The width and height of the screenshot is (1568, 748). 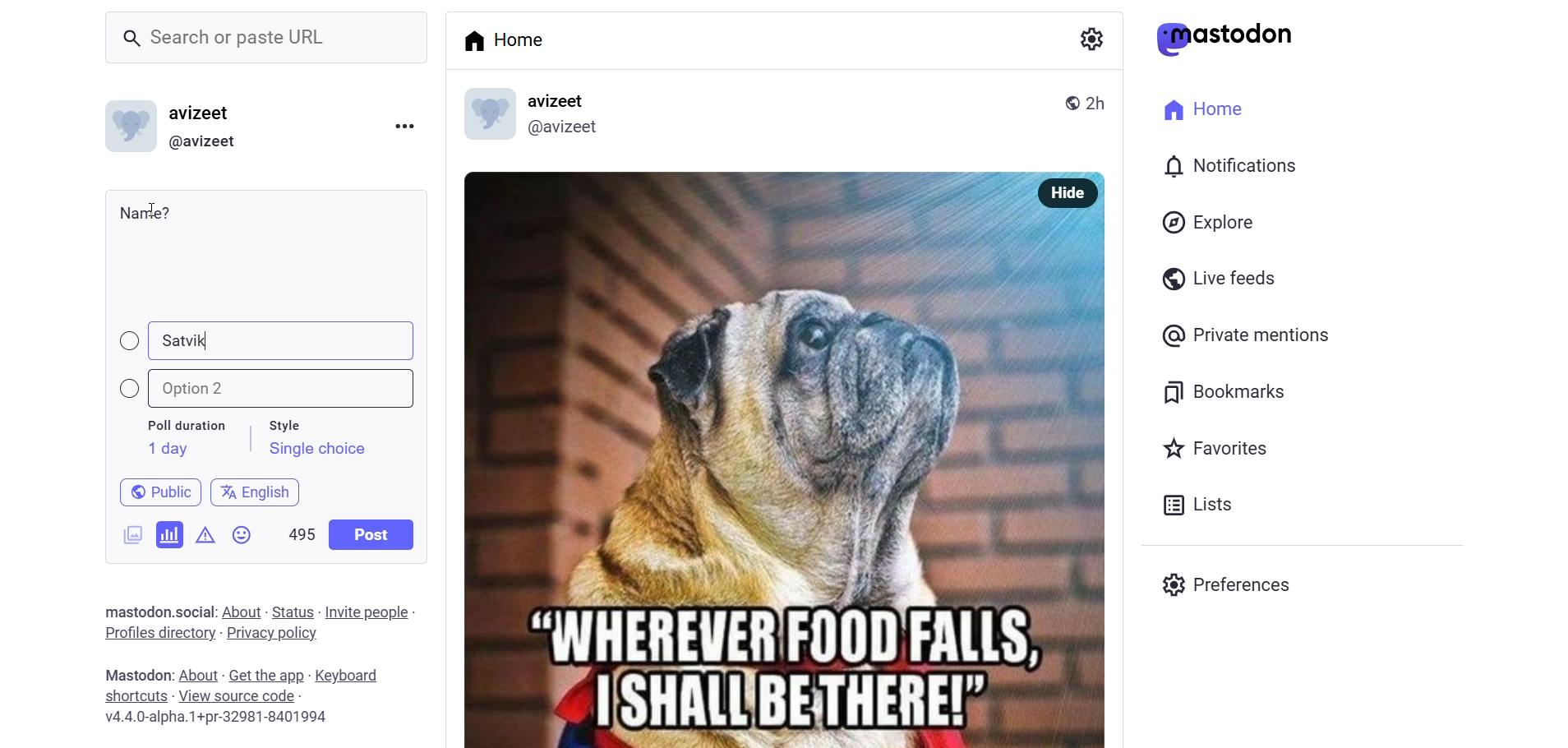 I want to click on explore, so click(x=1211, y=222).